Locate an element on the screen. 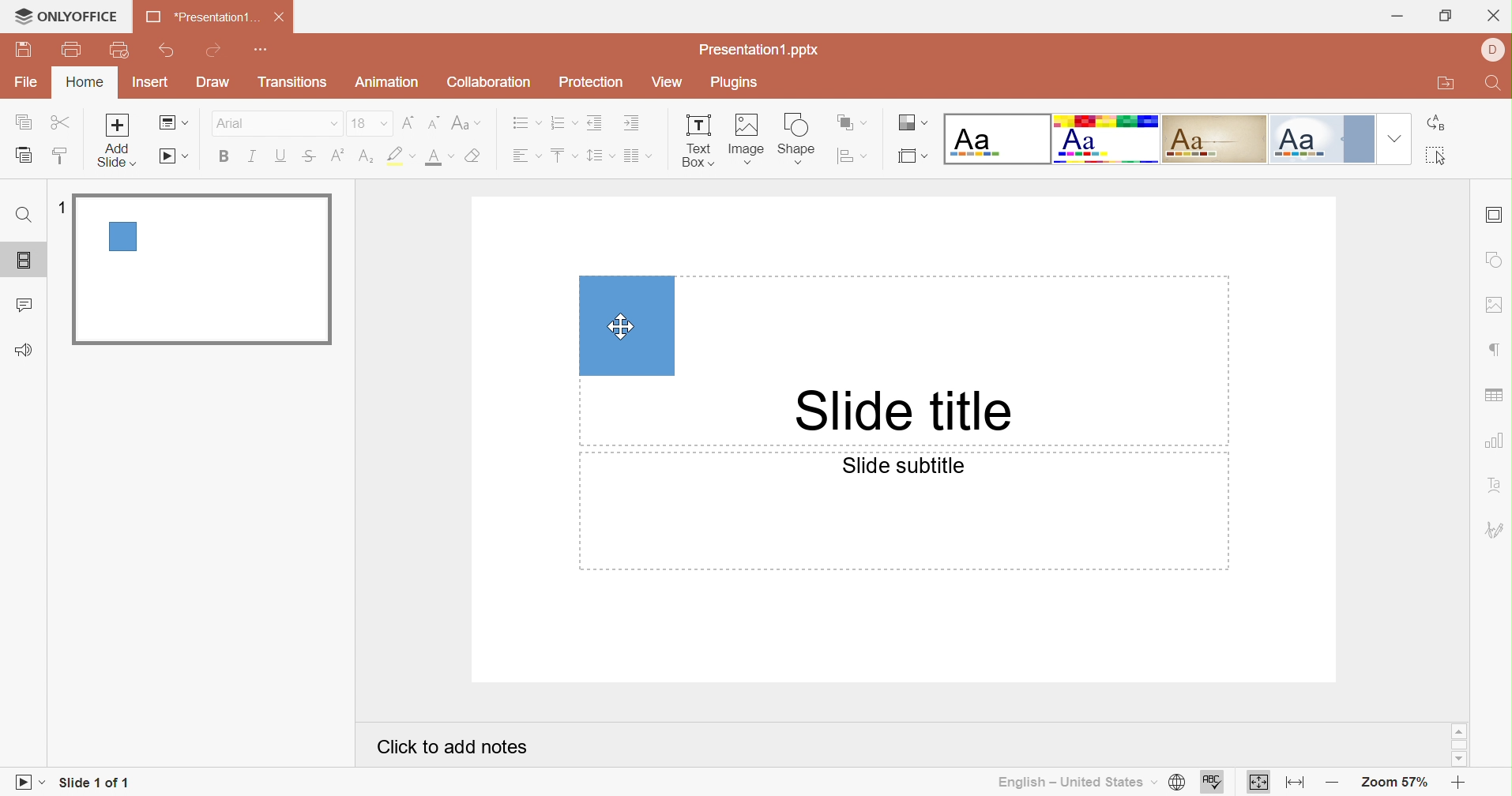 This screenshot has width=1512, height=796. Paragraph settings is located at coordinates (1499, 351).